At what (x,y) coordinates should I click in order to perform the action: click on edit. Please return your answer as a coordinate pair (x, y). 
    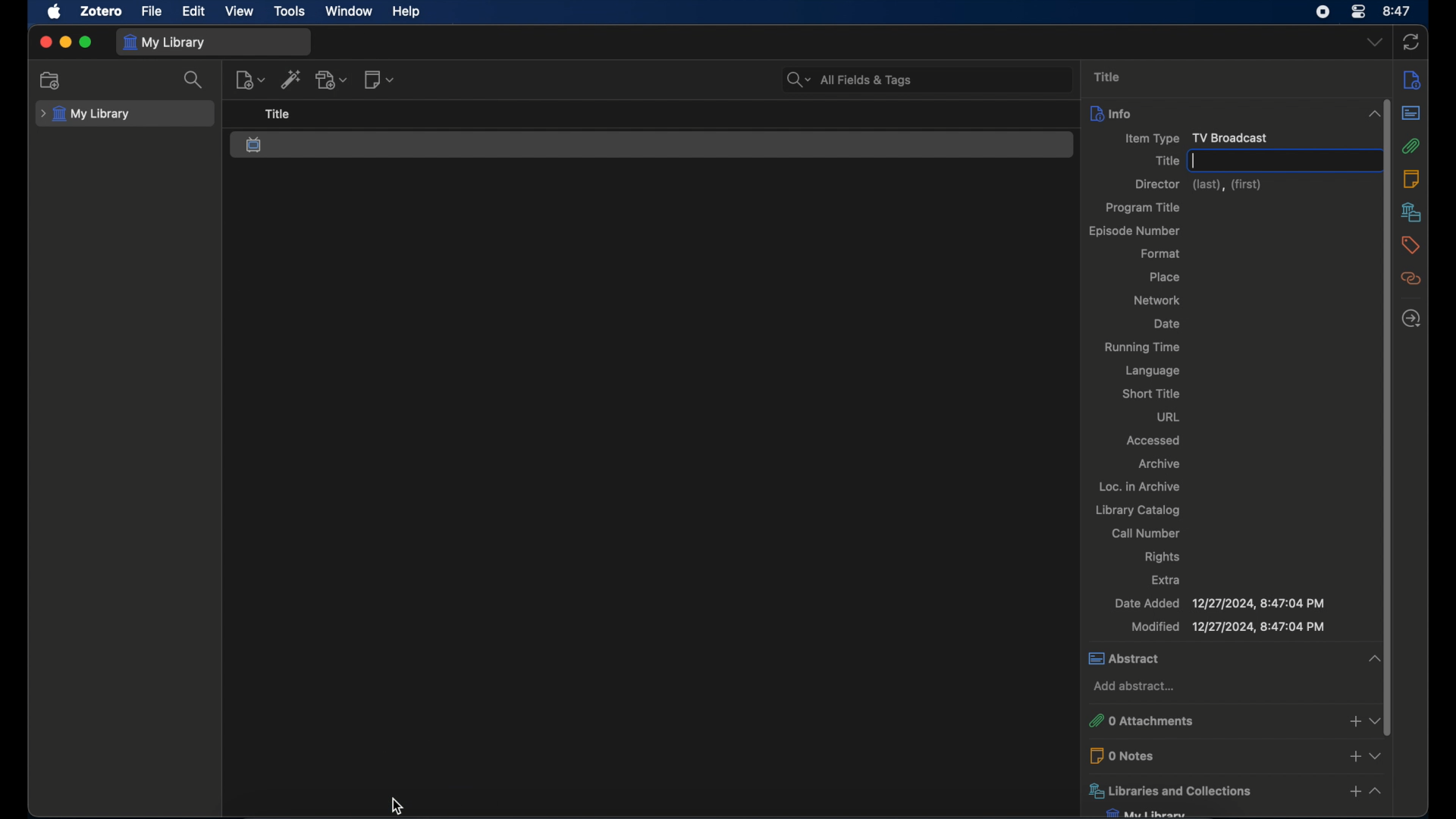
    Looking at the image, I should click on (195, 12).